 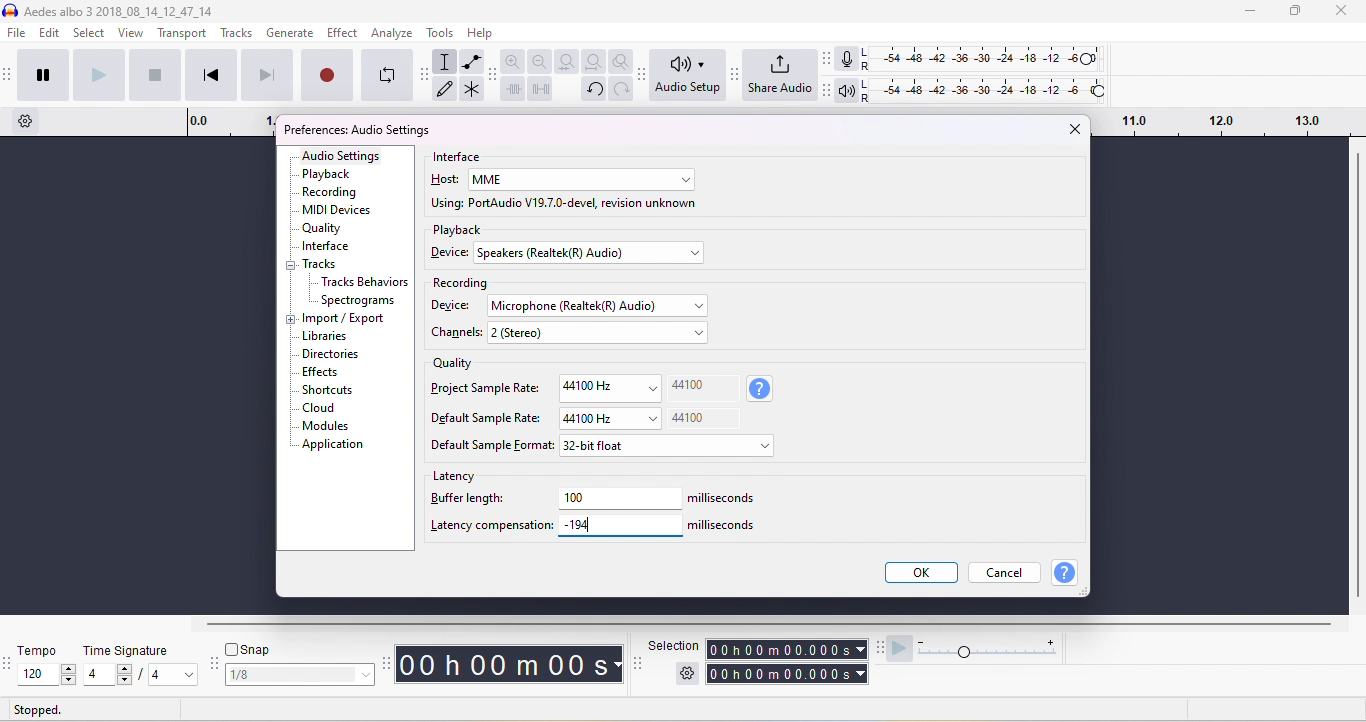 What do you see at coordinates (294, 267) in the screenshot?
I see `collapse` at bounding box center [294, 267].